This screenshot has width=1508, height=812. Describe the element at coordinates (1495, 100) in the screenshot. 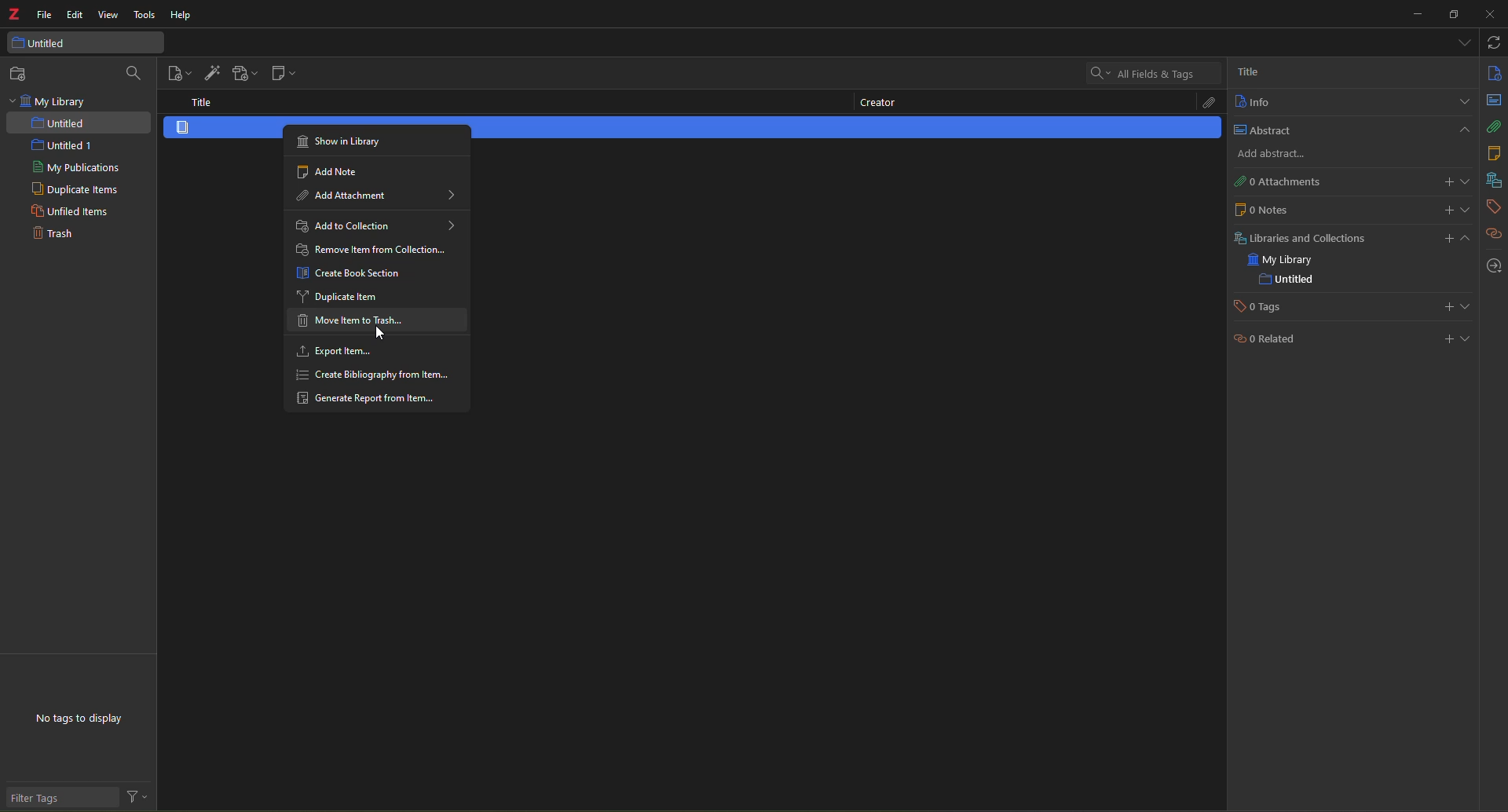

I see `abstract` at that location.